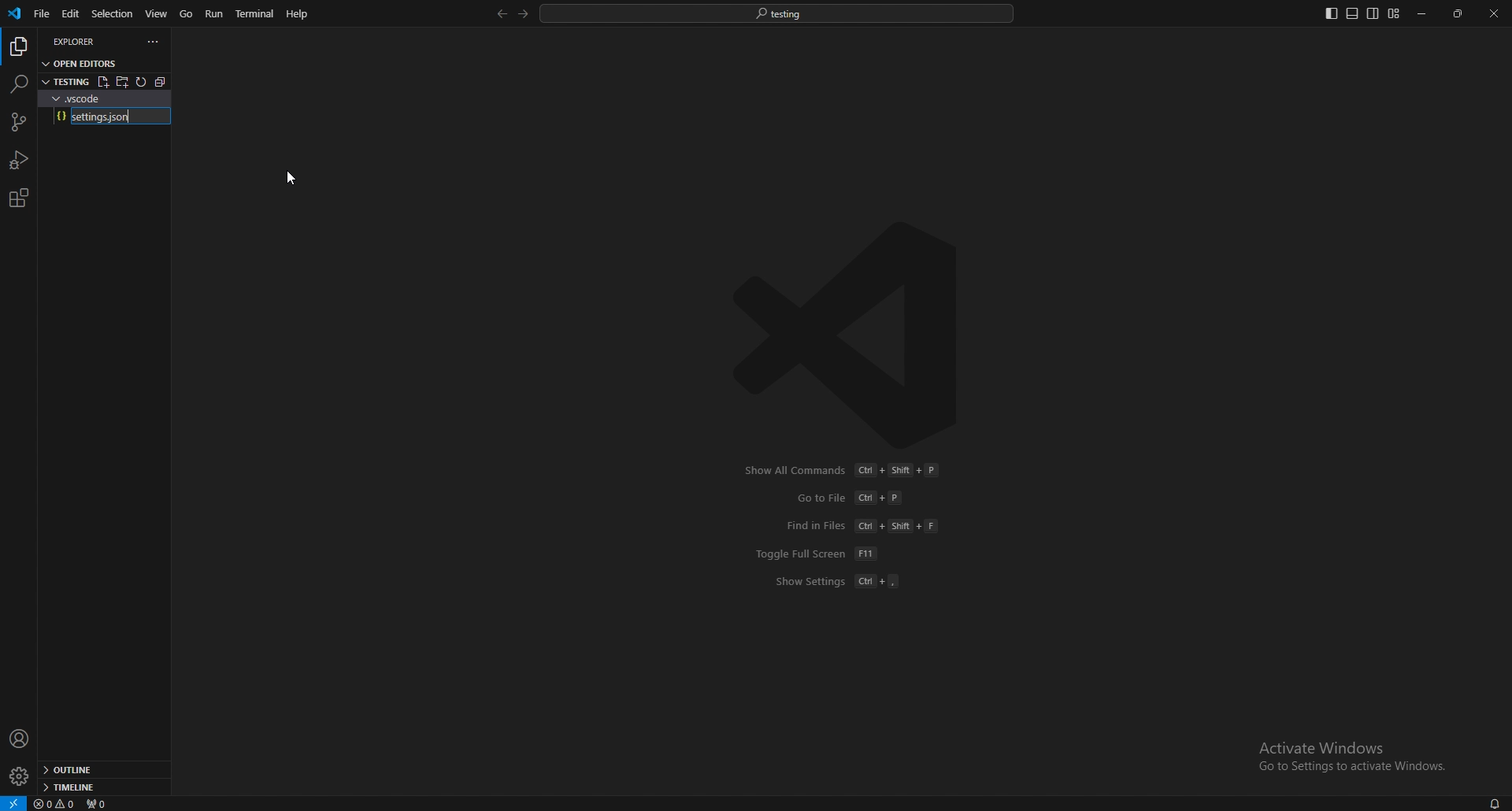 Image resolution: width=1512 pixels, height=811 pixels. I want to click on vscode, so click(16, 13).